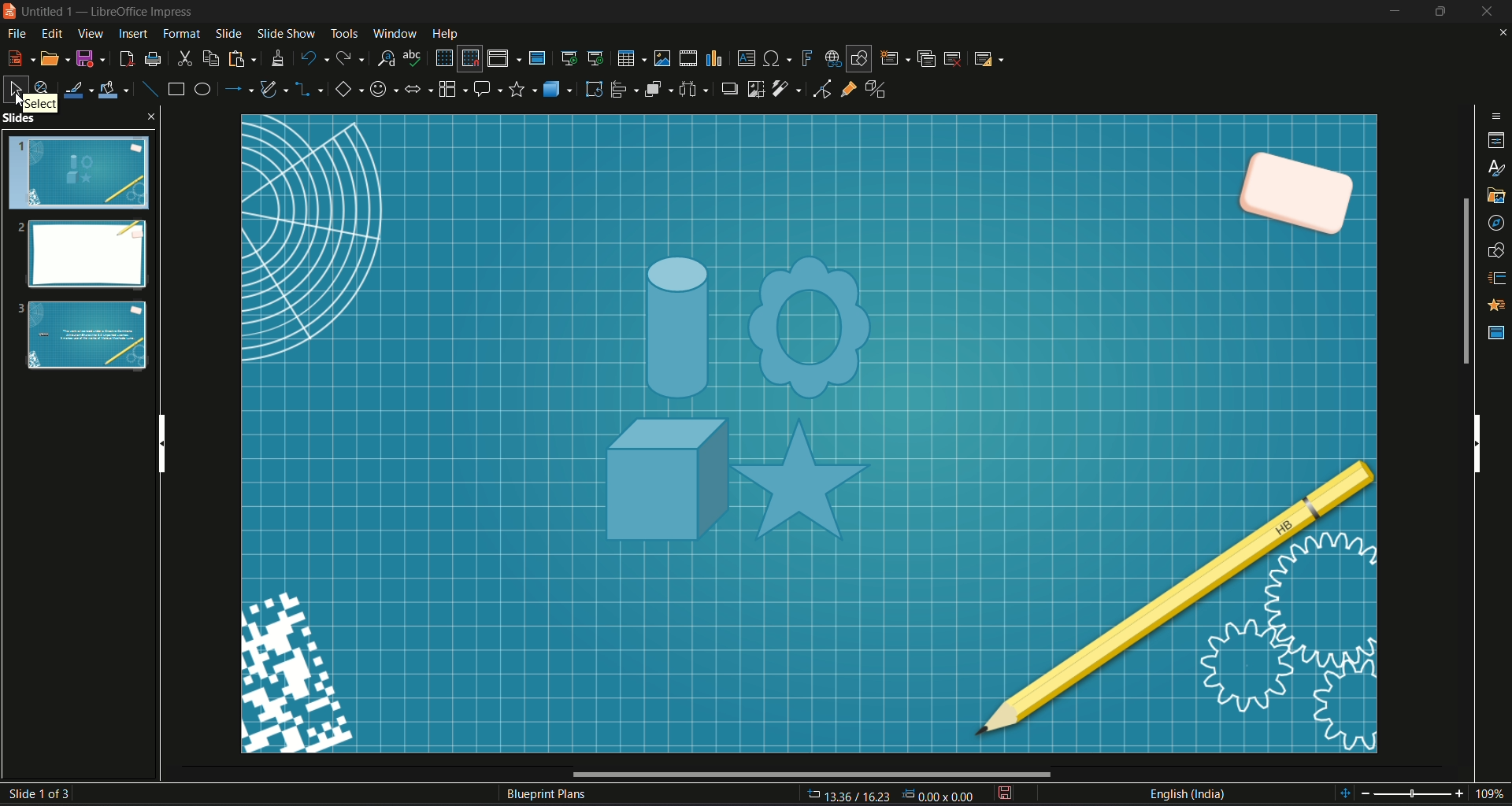  I want to click on Minimize, so click(1395, 11).